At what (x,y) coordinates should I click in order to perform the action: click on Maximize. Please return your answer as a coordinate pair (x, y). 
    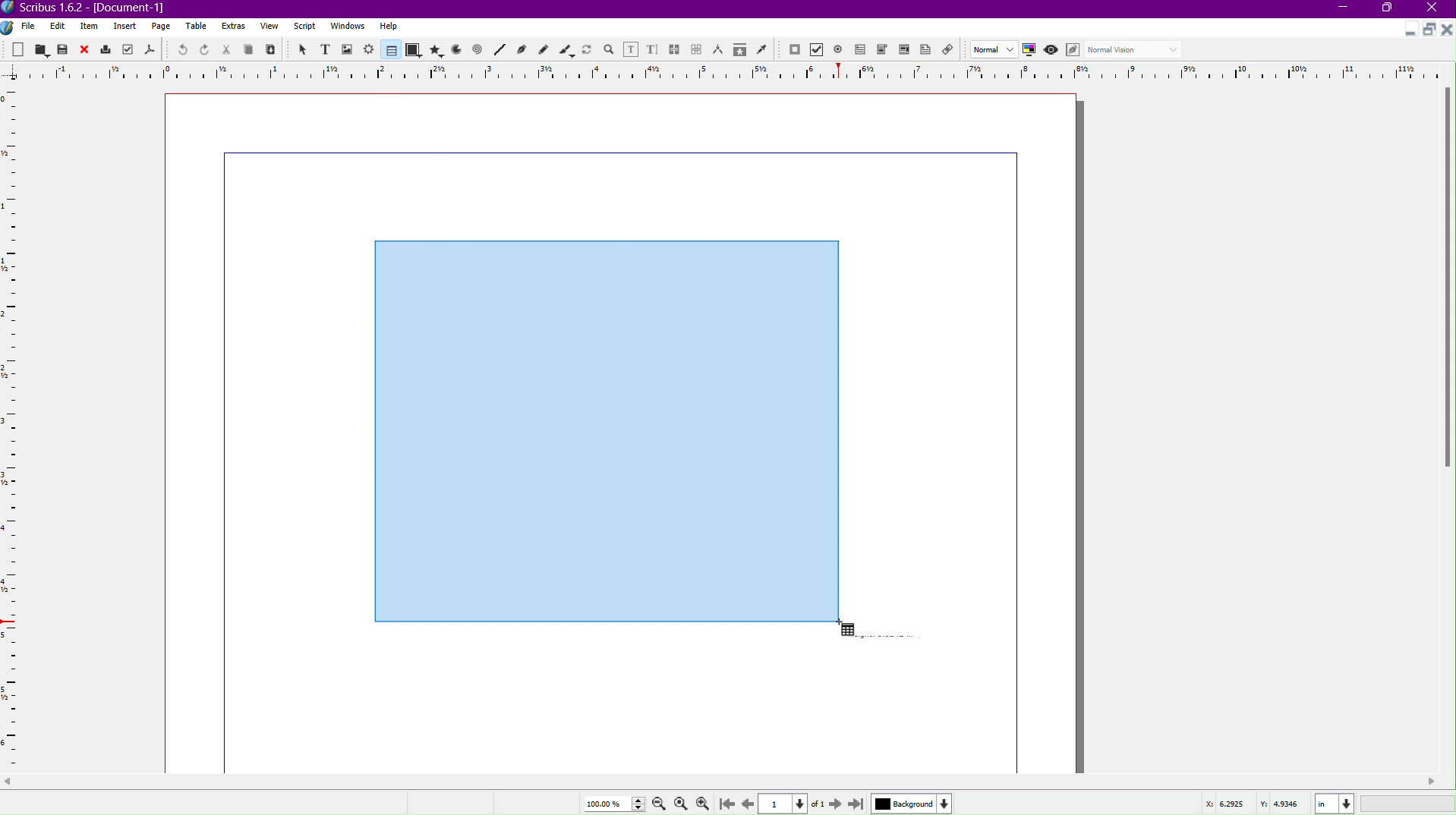
    Looking at the image, I should click on (1390, 10).